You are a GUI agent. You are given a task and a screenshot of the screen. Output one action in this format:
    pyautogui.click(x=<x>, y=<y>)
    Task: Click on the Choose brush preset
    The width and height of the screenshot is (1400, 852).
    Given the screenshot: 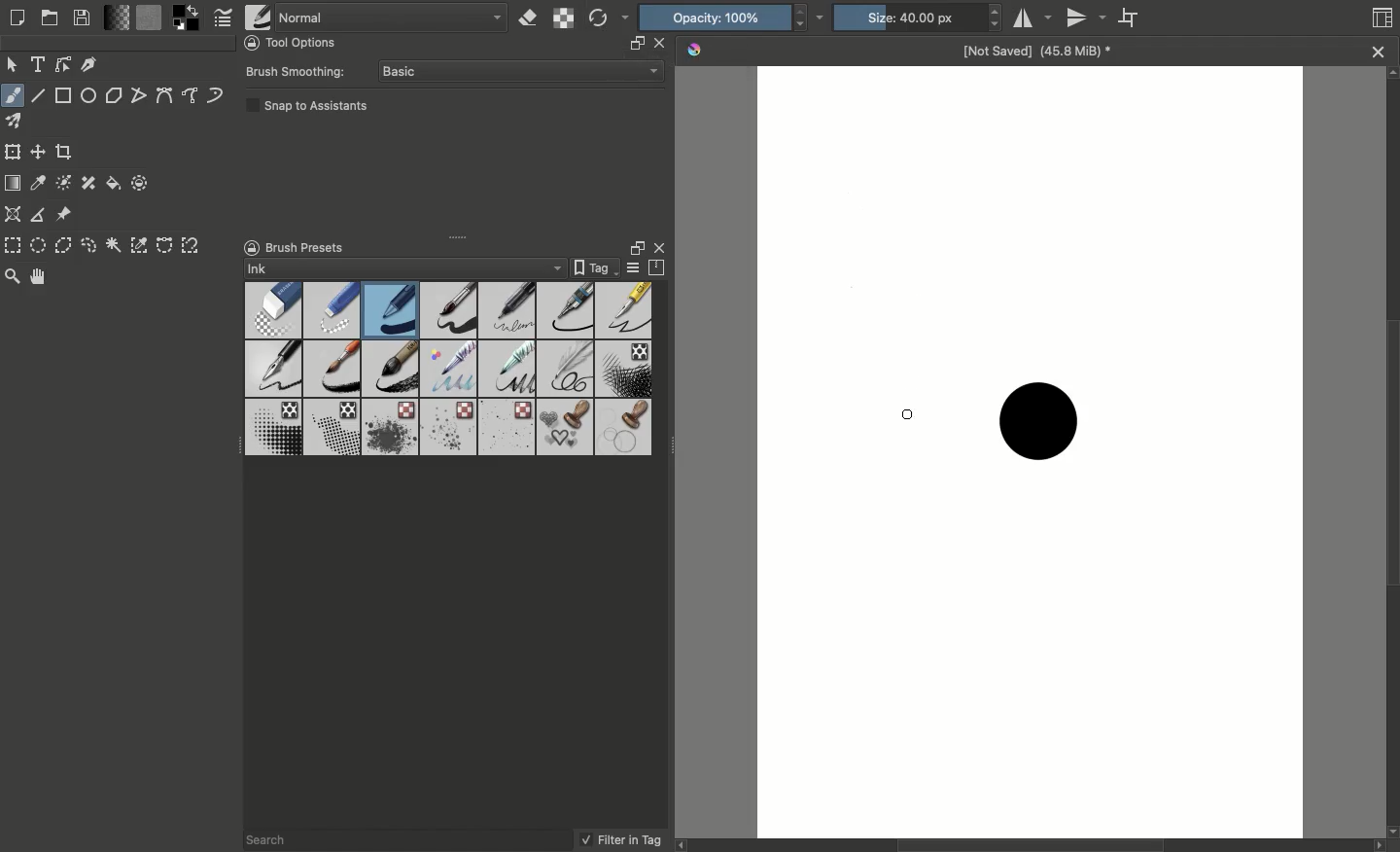 What is the action you would take?
    pyautogui.click(x=258, y=18)
    